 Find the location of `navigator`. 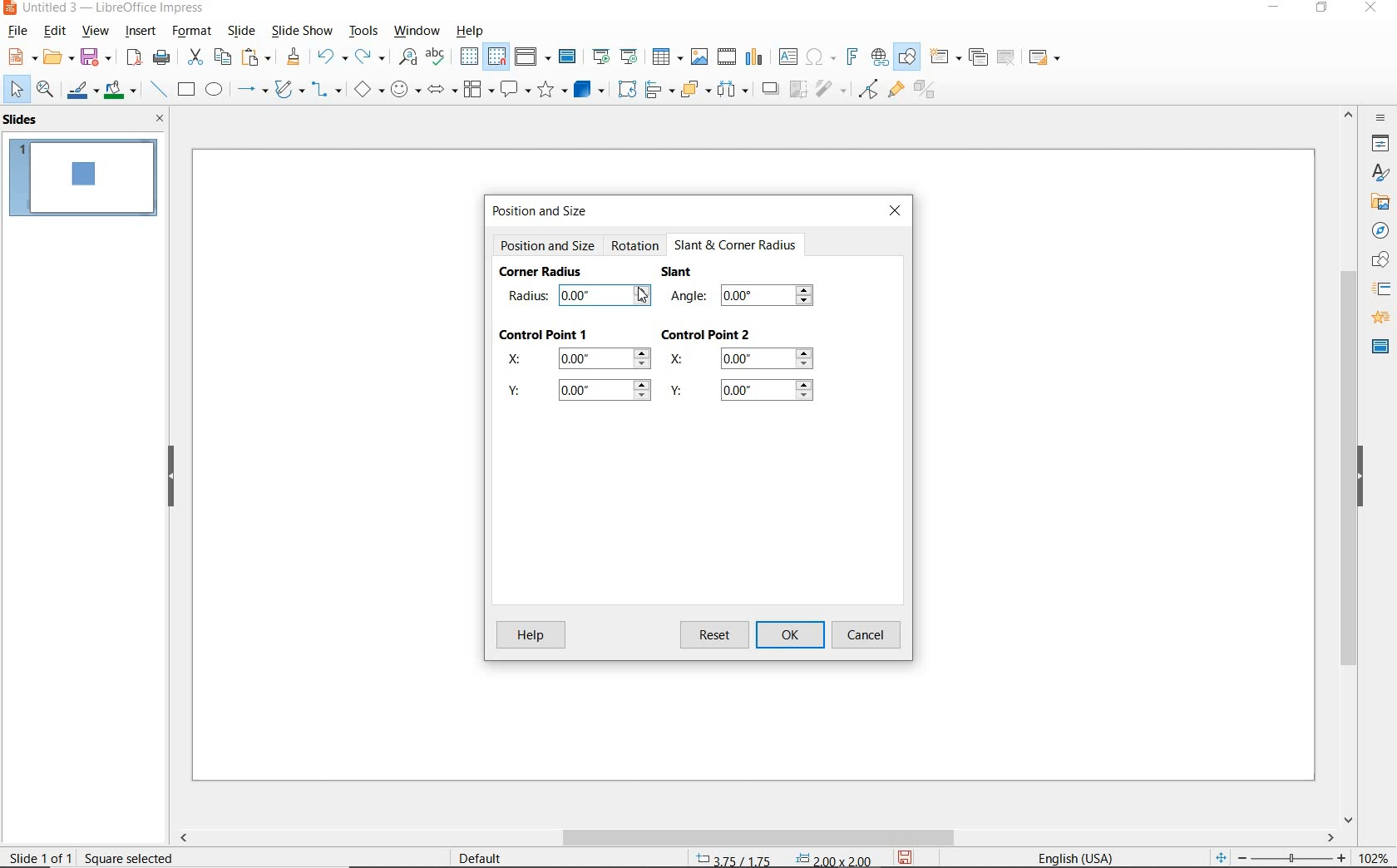

navigator is located at coordinates (1377, 230).